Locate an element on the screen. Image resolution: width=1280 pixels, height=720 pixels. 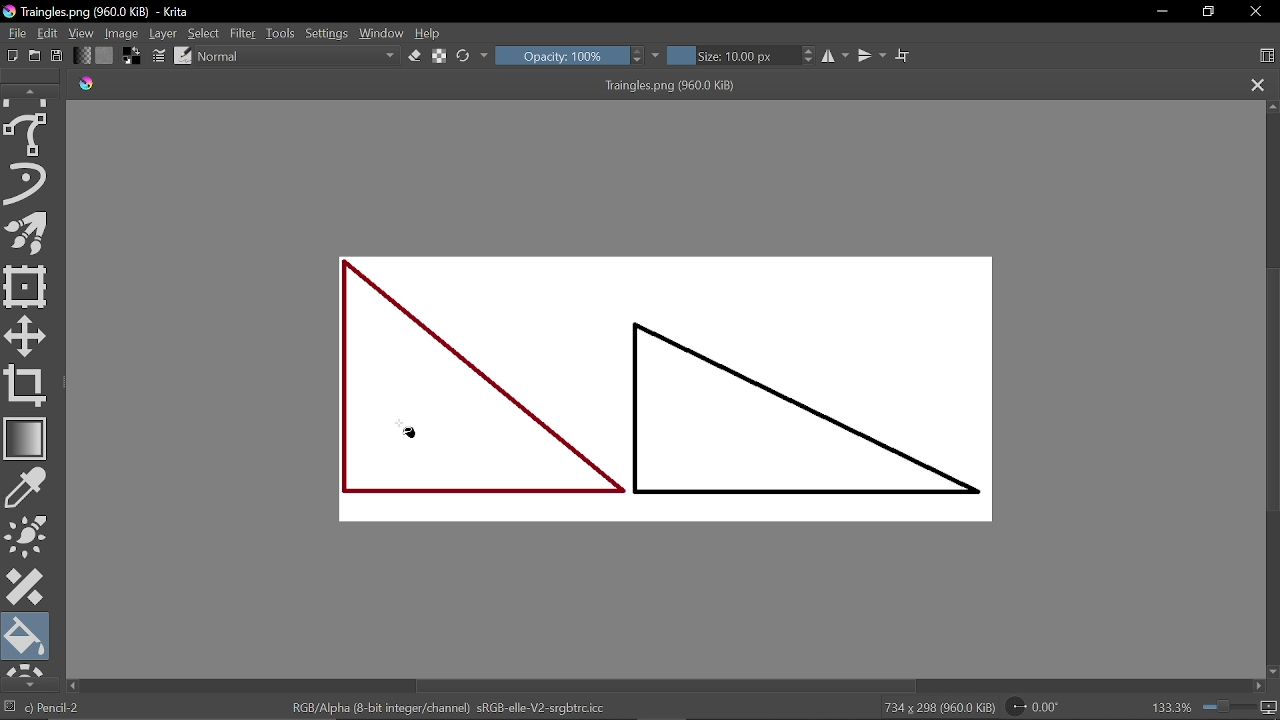
Move up is located at coordinates (1272, 107).